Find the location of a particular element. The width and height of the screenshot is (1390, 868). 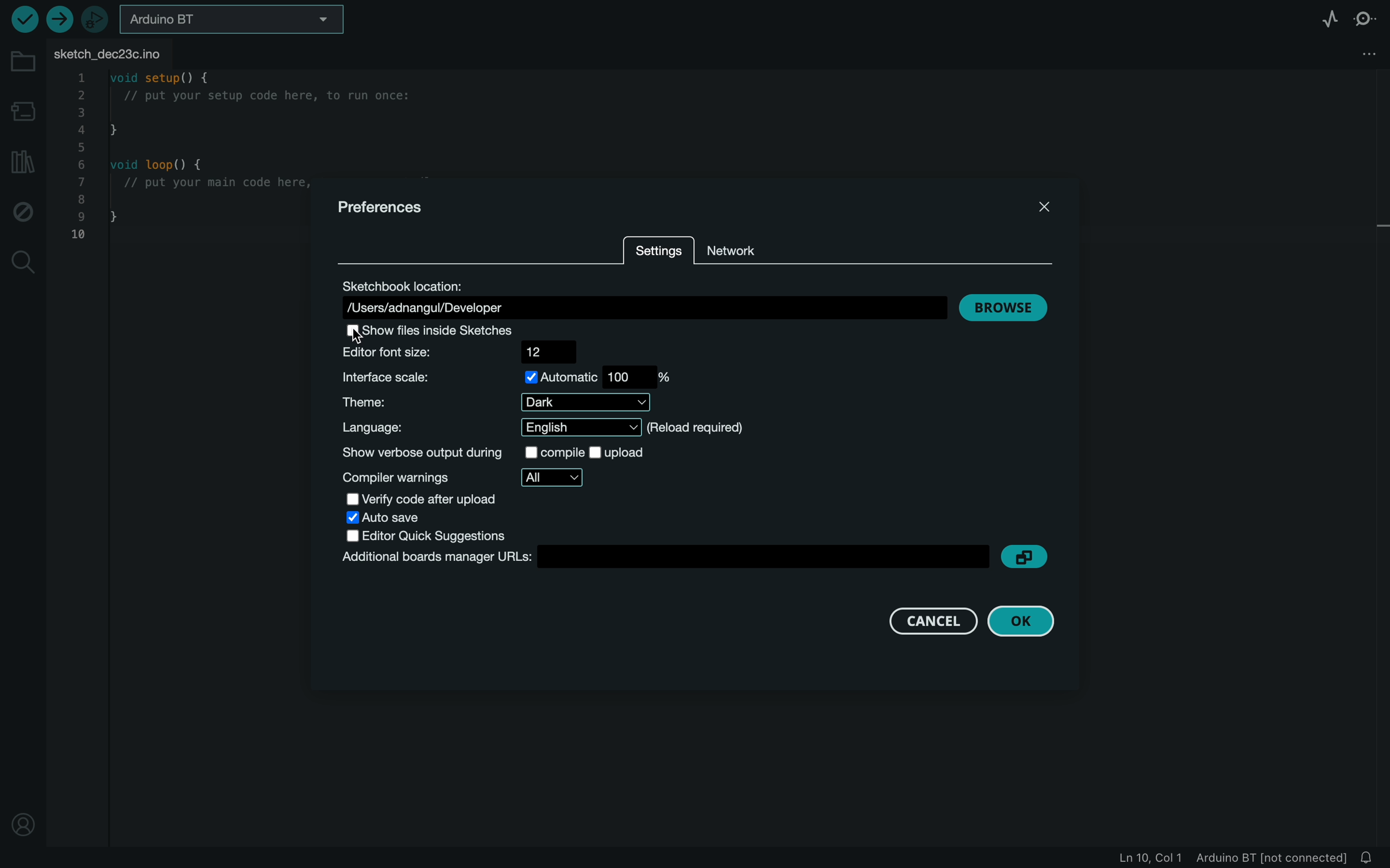

upload is located at coordinates (58, 19).